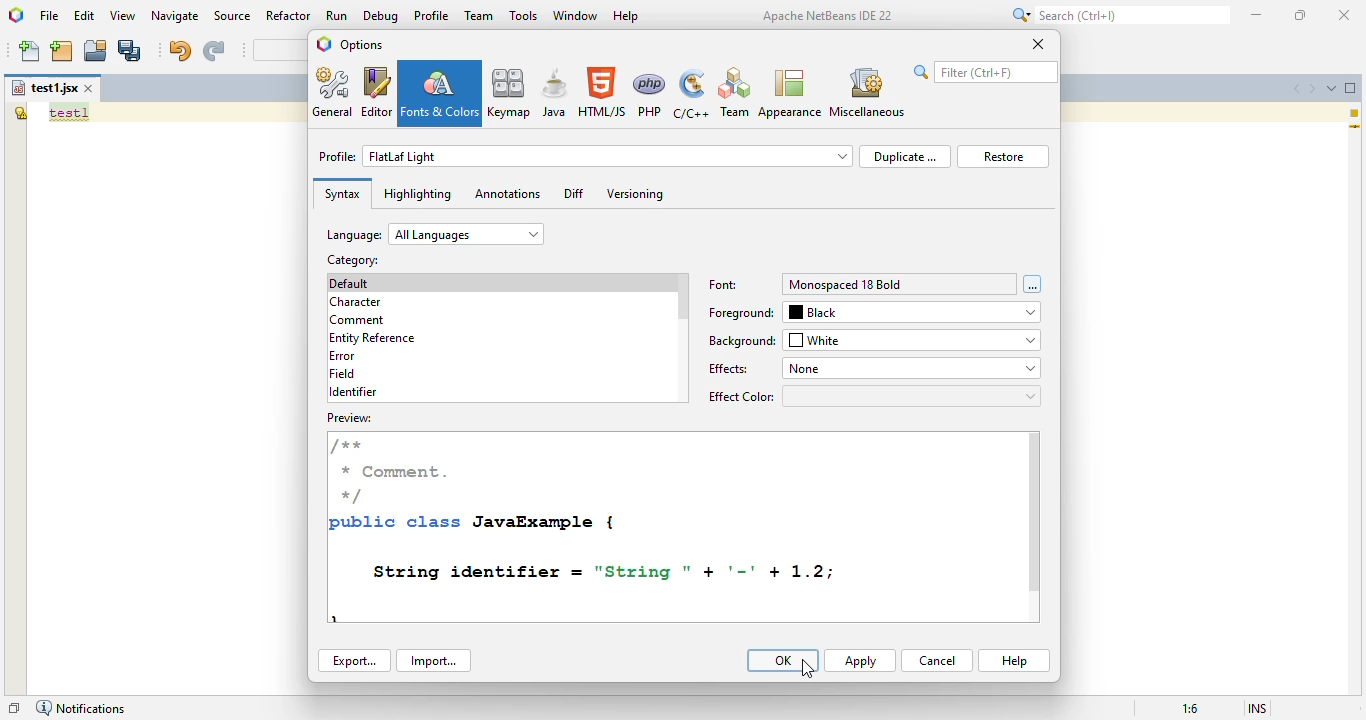 The width and height of the screenshot is (1366, 720). Describe the element at coordinates (342, 356) in the screenshot. I see `error` at that location.